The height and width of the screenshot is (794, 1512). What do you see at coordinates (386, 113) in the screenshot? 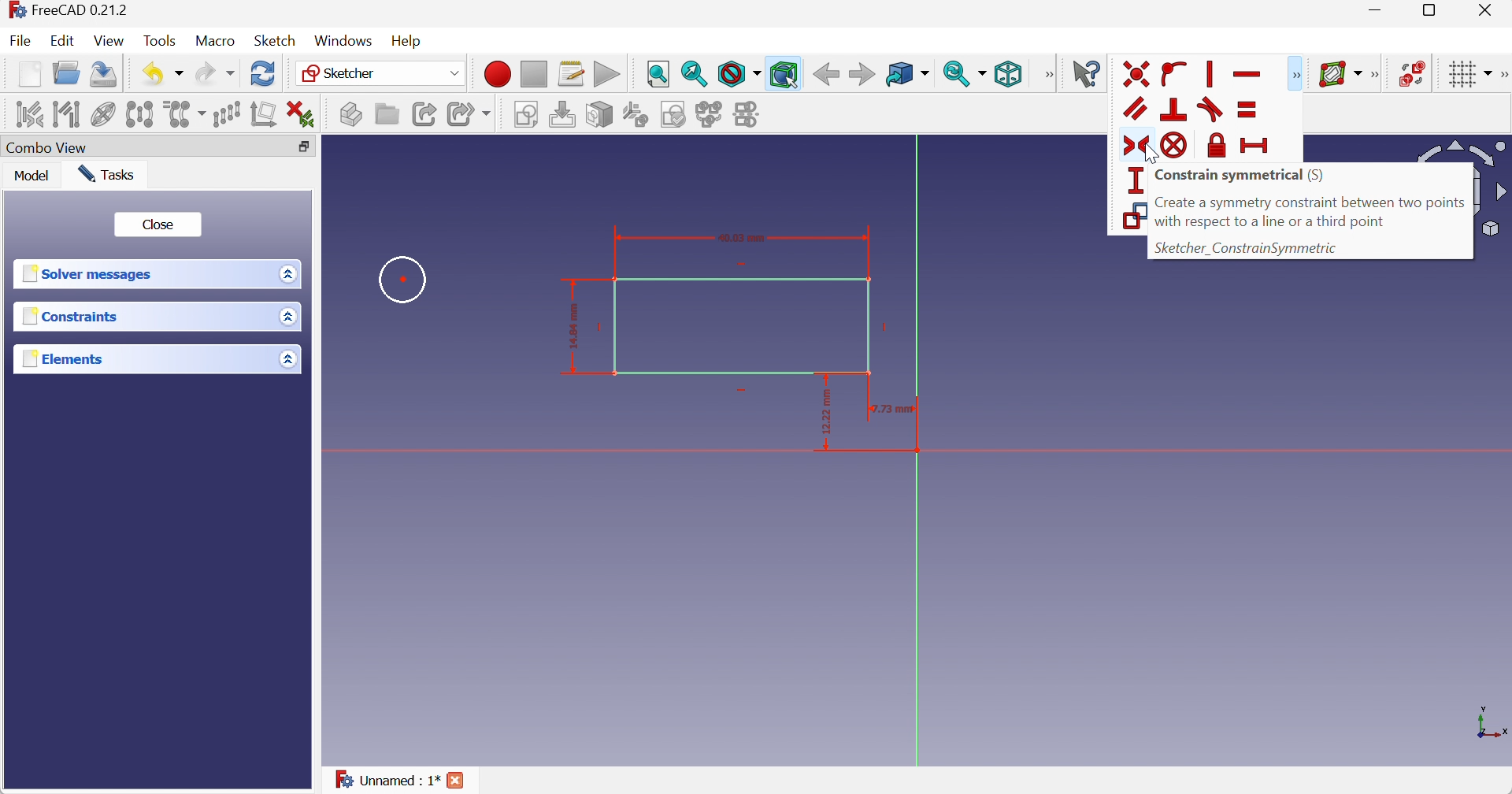
I see `Create group` at bounding box center [386, 113].